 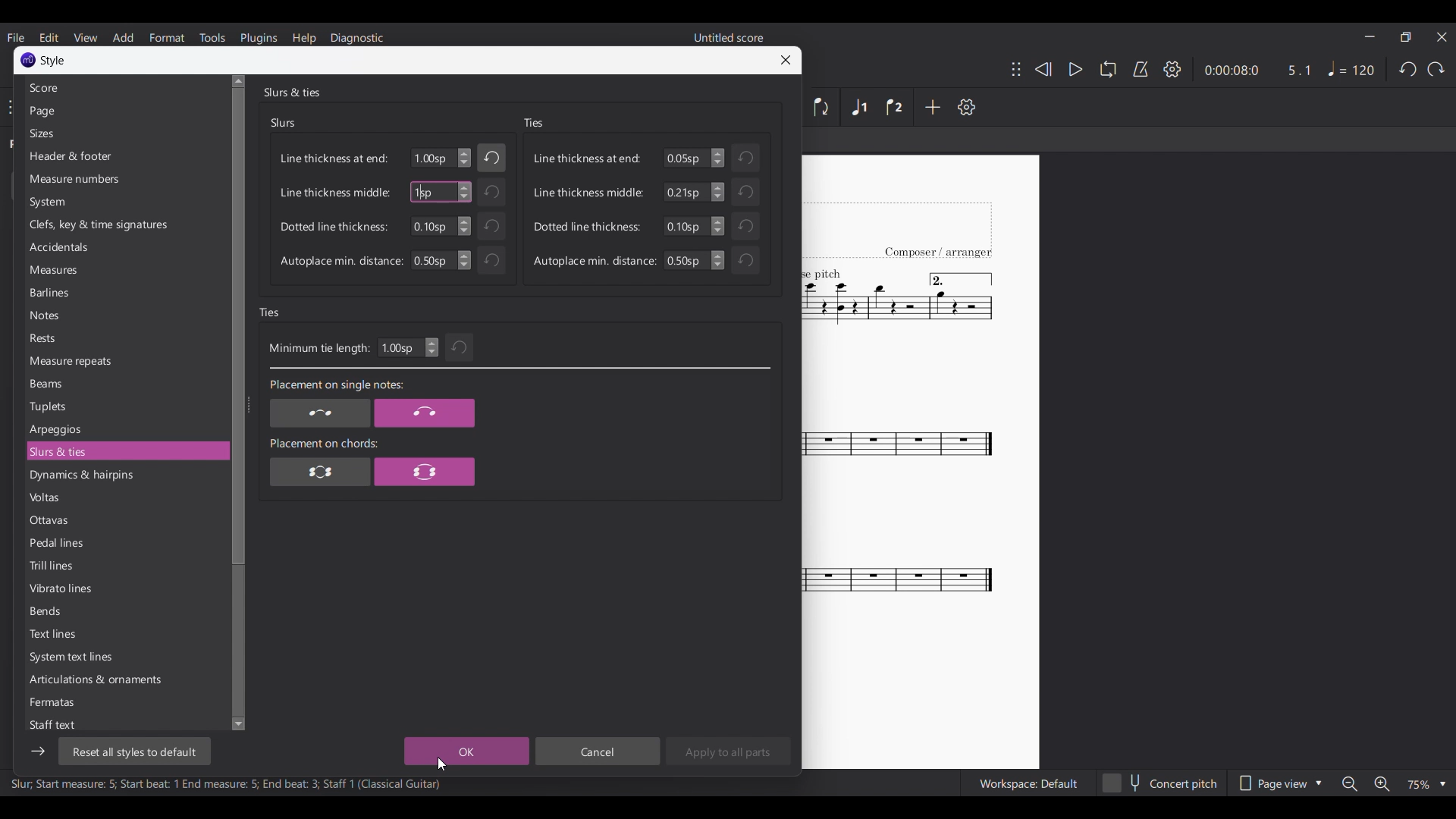 What do you see at coordinates (125, 634) in the screenshot?
I see `Text lines` at bounding box center [125, 634].